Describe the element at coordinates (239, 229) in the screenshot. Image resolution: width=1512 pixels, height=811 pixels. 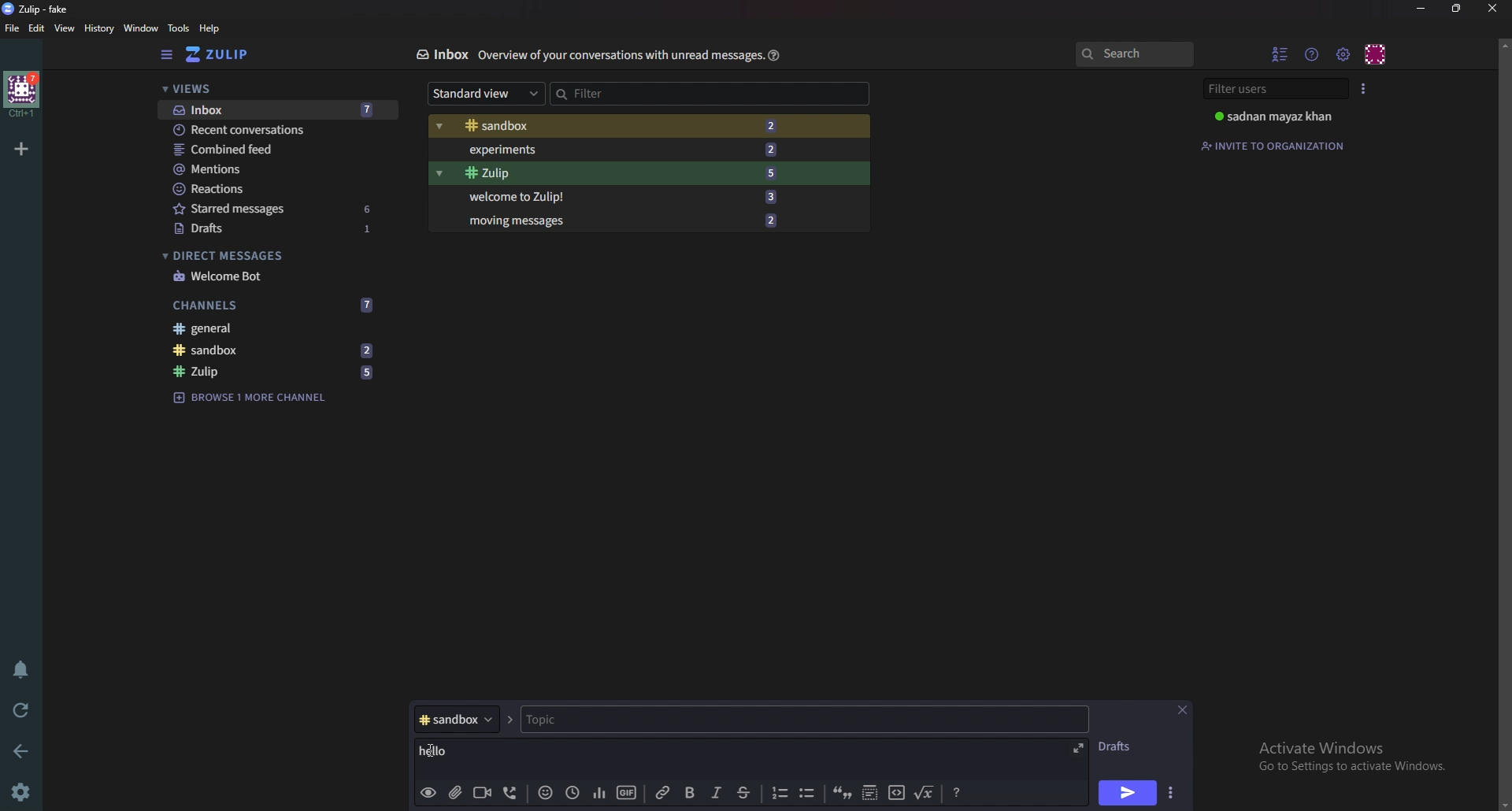
I see `Drafts` at that location.